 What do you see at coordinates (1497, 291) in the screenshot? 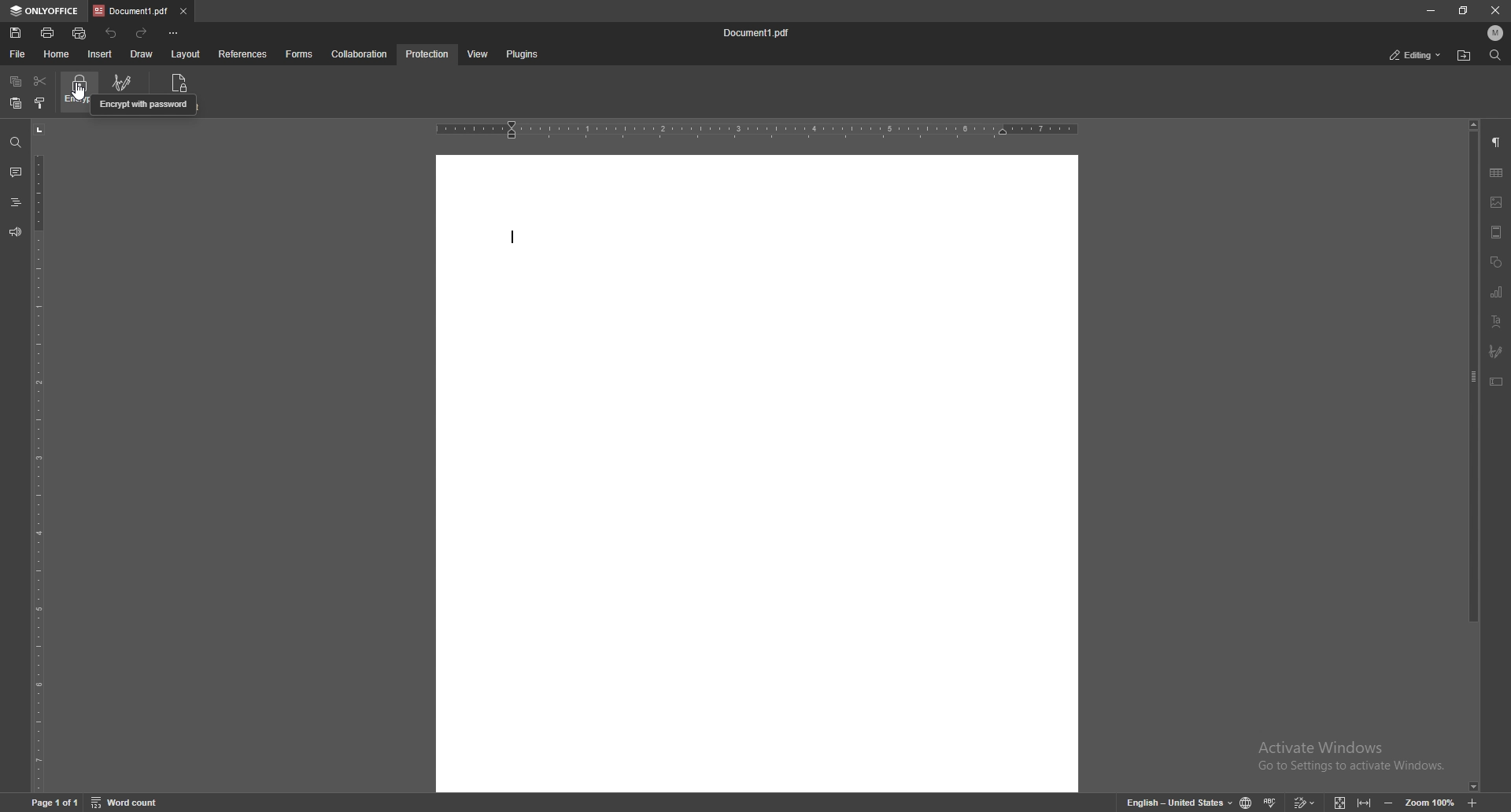
I see `chart` at bounding box center [1497, 291].